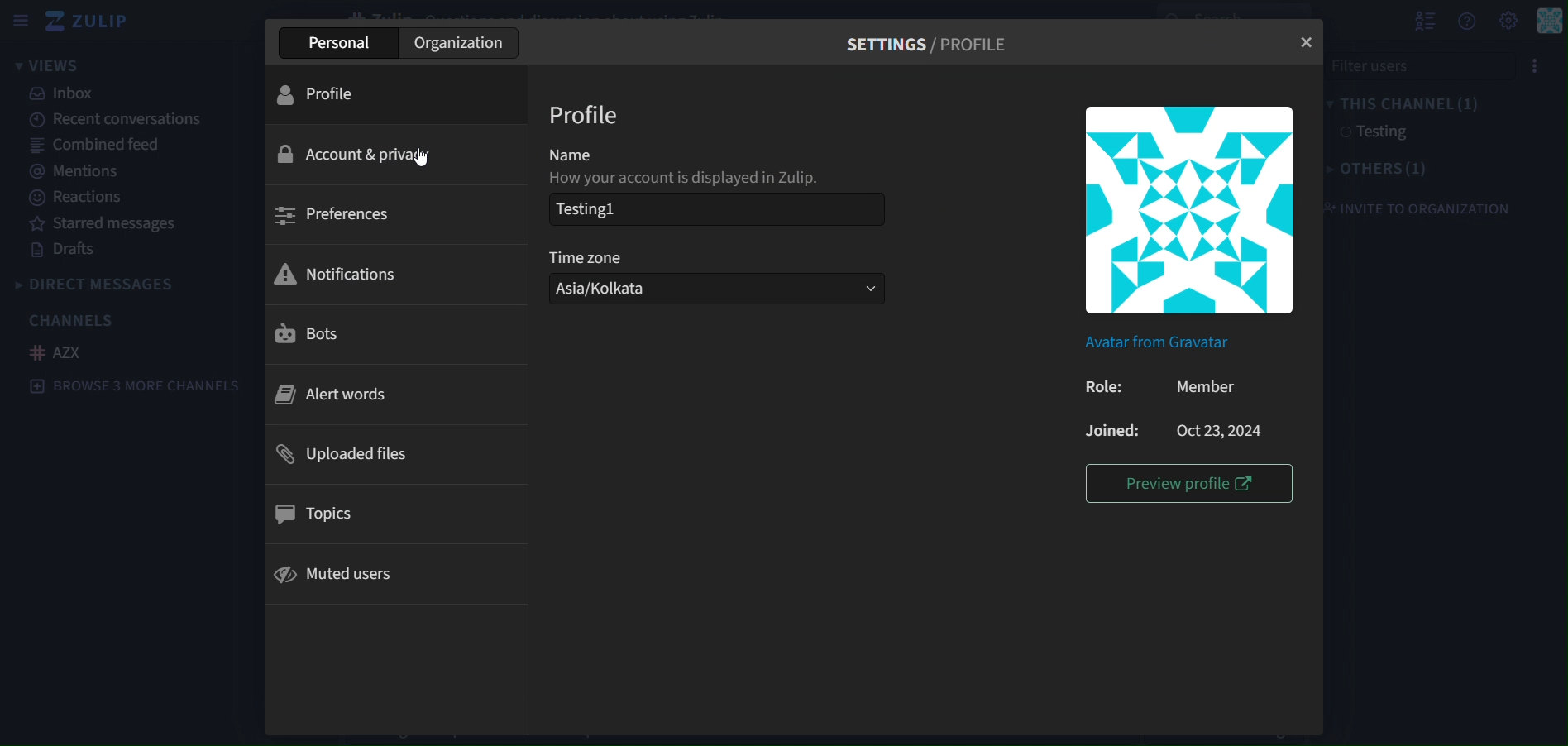 This screenshot has width=1568, height=746. What do you see at coordinates (79, 322) in the screenshot?
I see `channels` at bounding box center [79, 322].